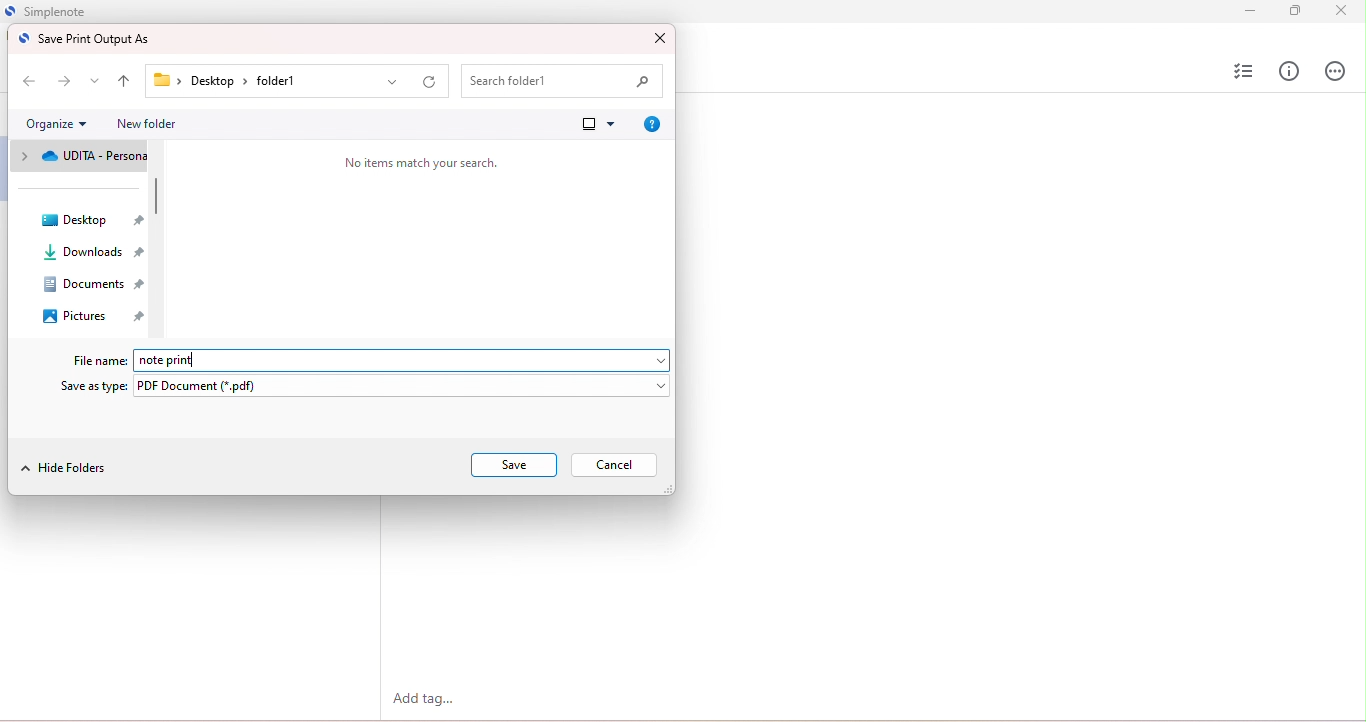 The height and width of the screenshot is (722, 1366). I want to click on no items match your search, so click(420, 162).